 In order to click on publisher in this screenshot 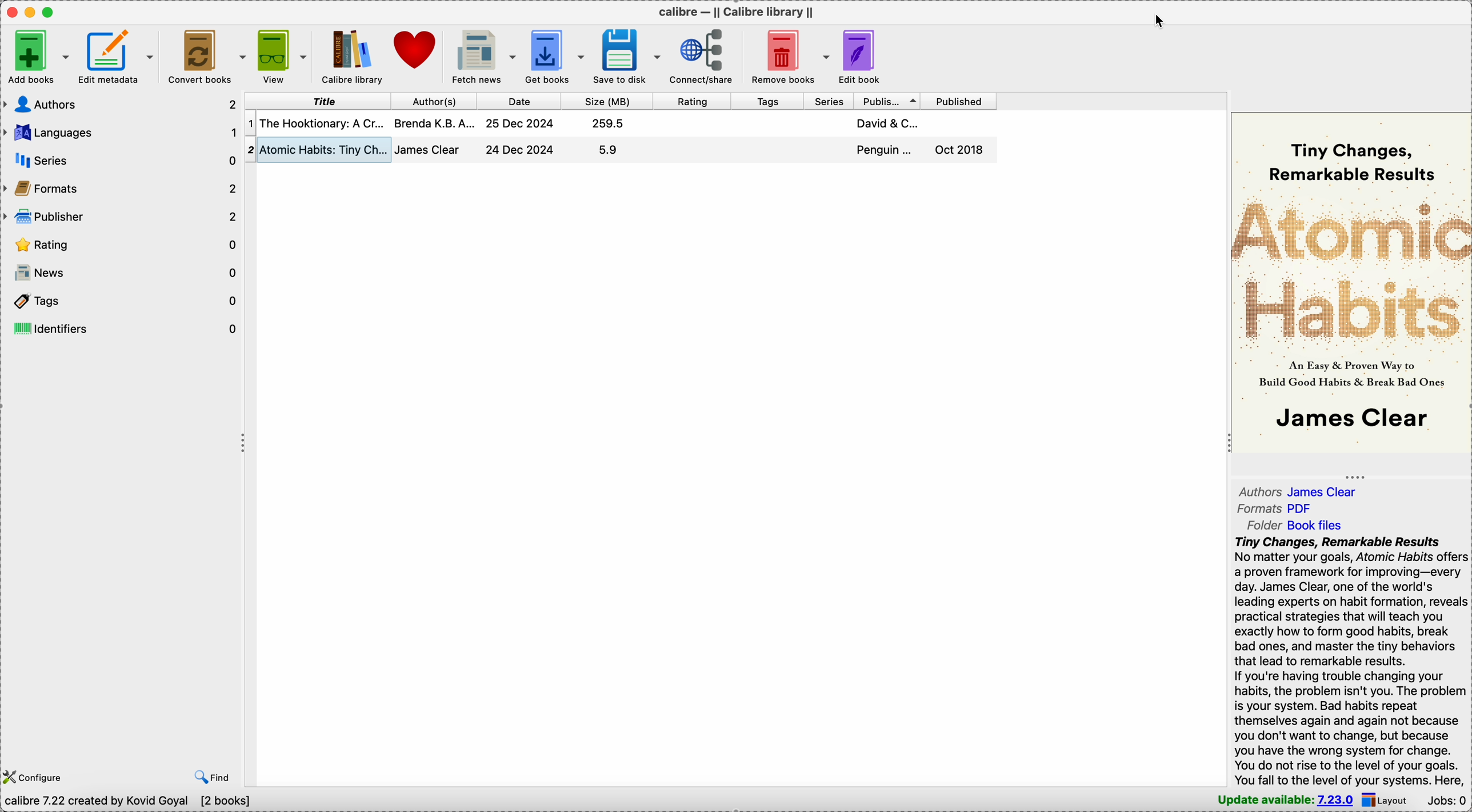, I will do `click(122, 216)`.